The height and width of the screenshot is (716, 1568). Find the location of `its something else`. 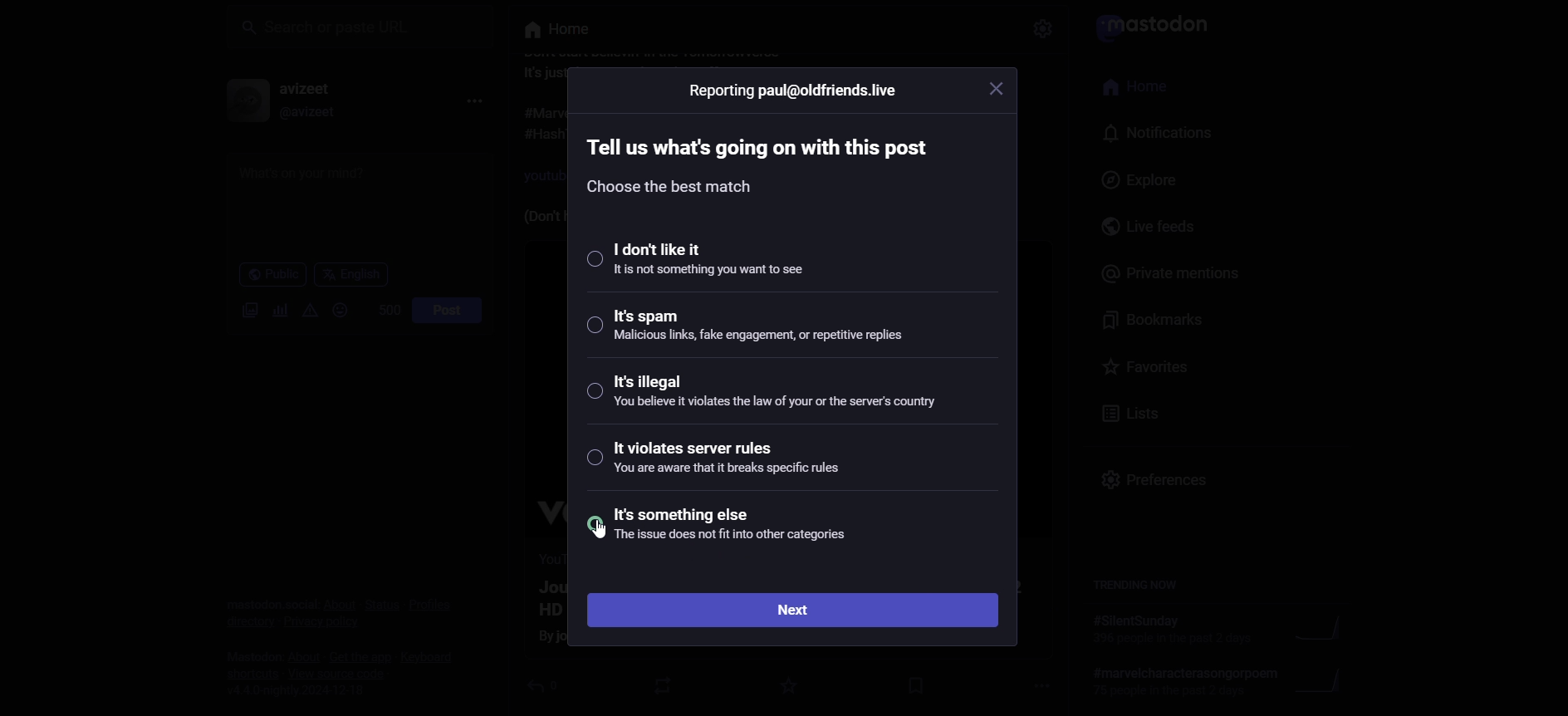

its something else is located at coordinates (751, 532).